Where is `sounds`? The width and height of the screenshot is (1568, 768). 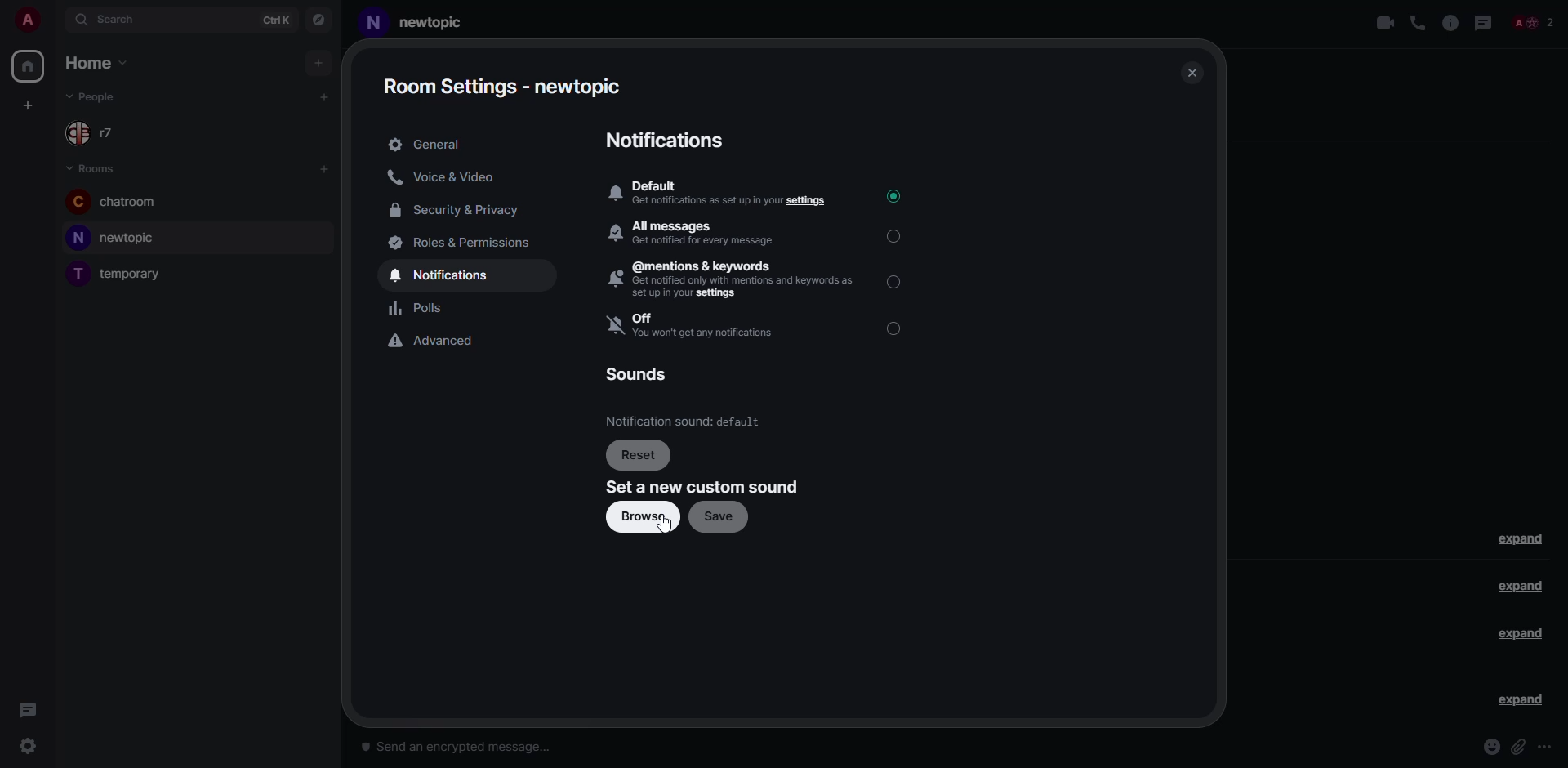
sounds is located at coordinates (639, 373).